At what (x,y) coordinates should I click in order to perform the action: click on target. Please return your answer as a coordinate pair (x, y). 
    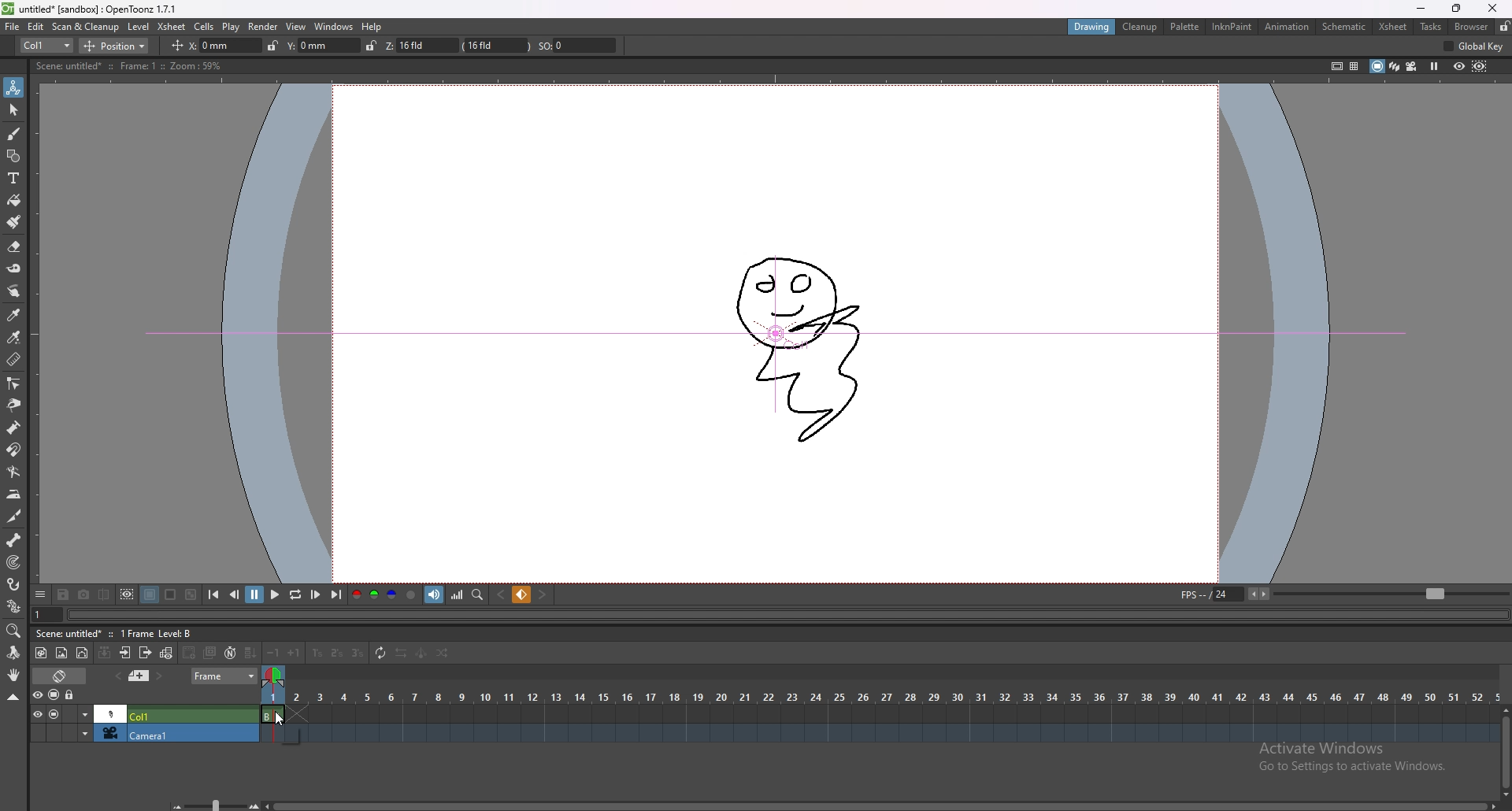
    Looking at the image, I should click on (15, 562).